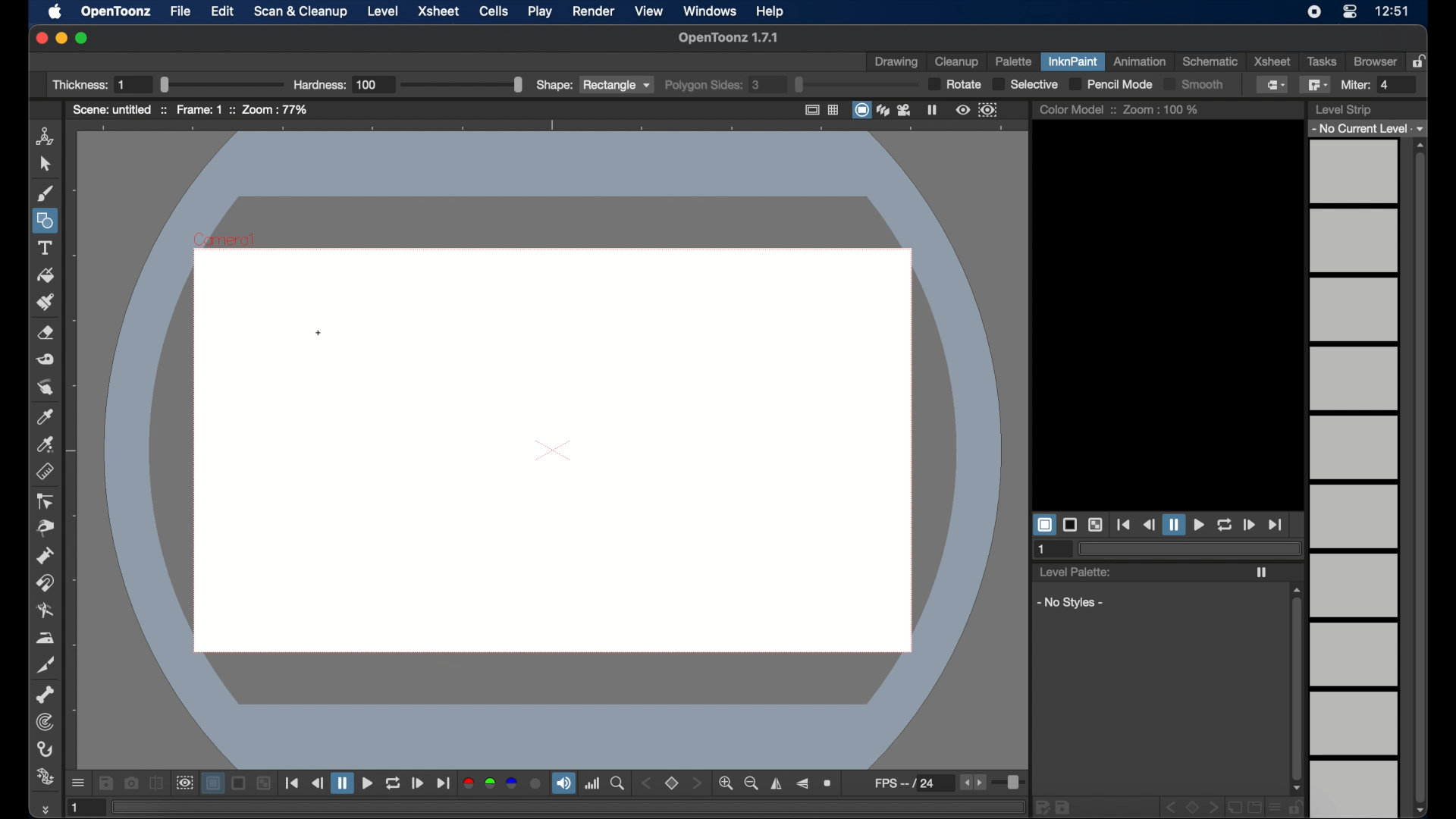 The width and height of the screenshot is (1456, 819). What do you see at coordinates (802, 784) in the screenshot?
I see `flip vertically` at bounding box center [802, 784].